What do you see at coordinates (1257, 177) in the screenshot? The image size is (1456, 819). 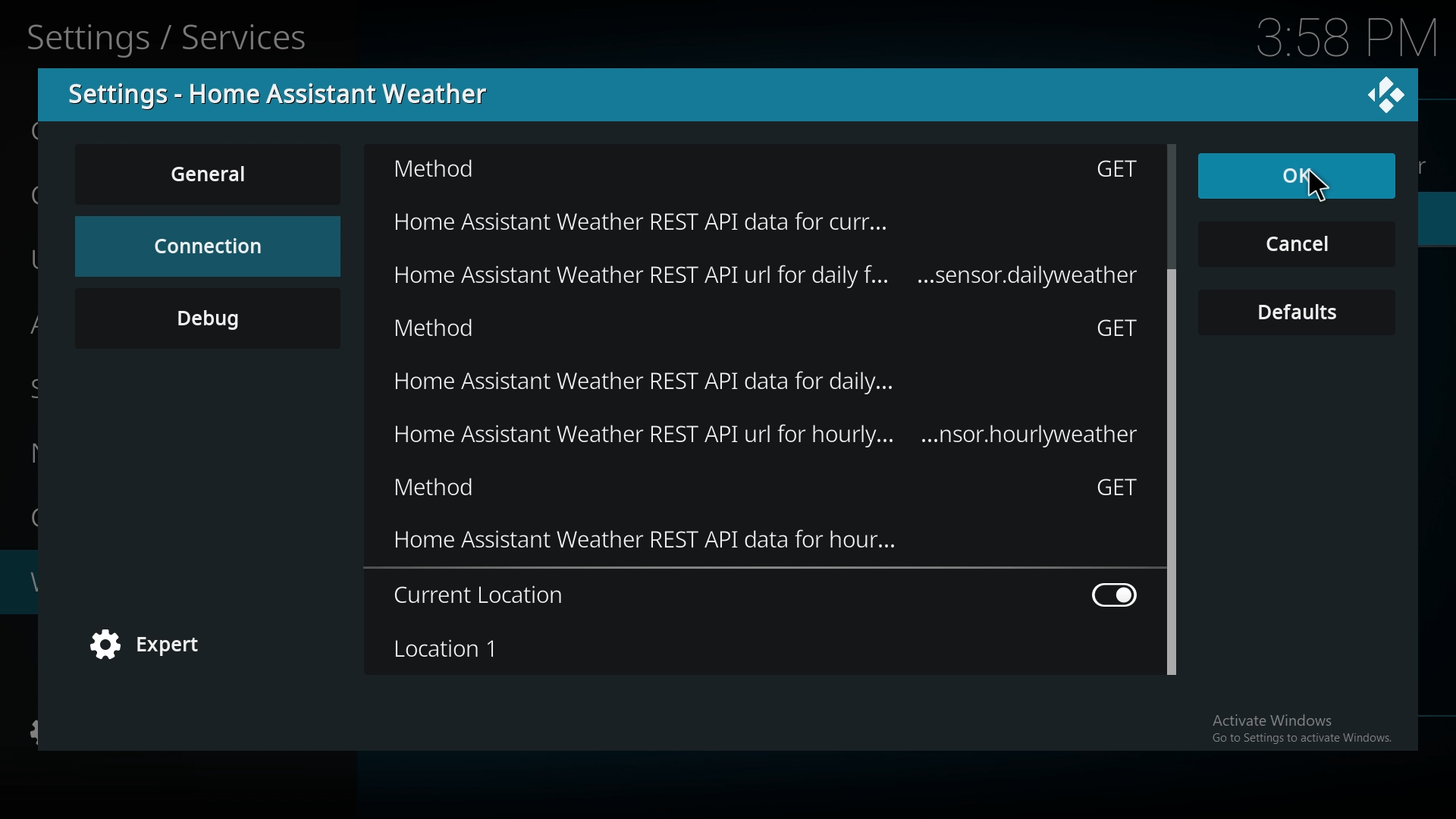 I see `ok` at bounding box center [1257, 177].